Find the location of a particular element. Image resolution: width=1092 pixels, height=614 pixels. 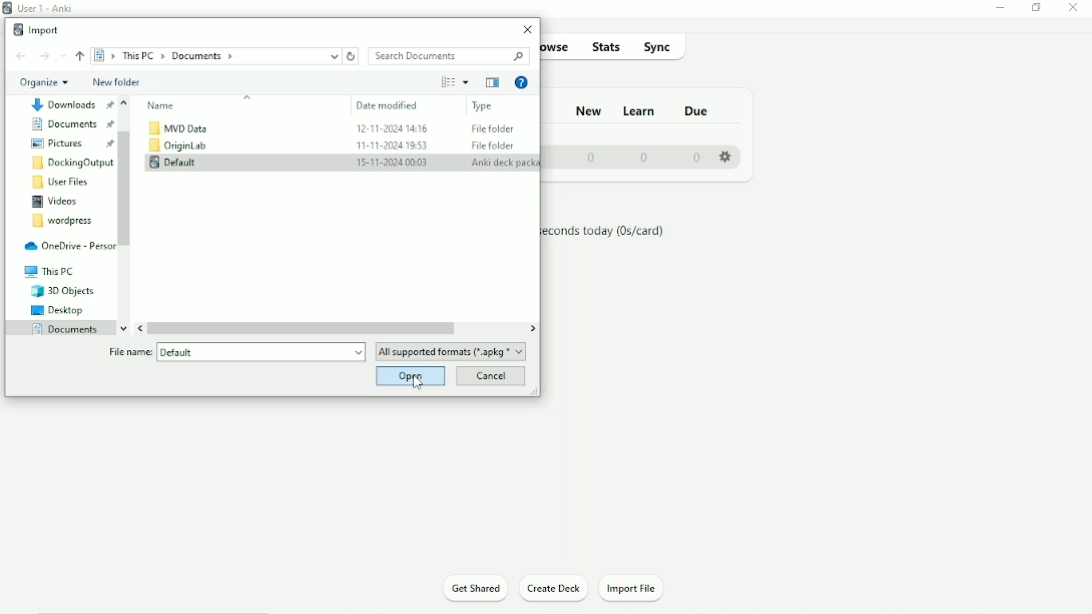

Location is located at coordinates (216, 57).